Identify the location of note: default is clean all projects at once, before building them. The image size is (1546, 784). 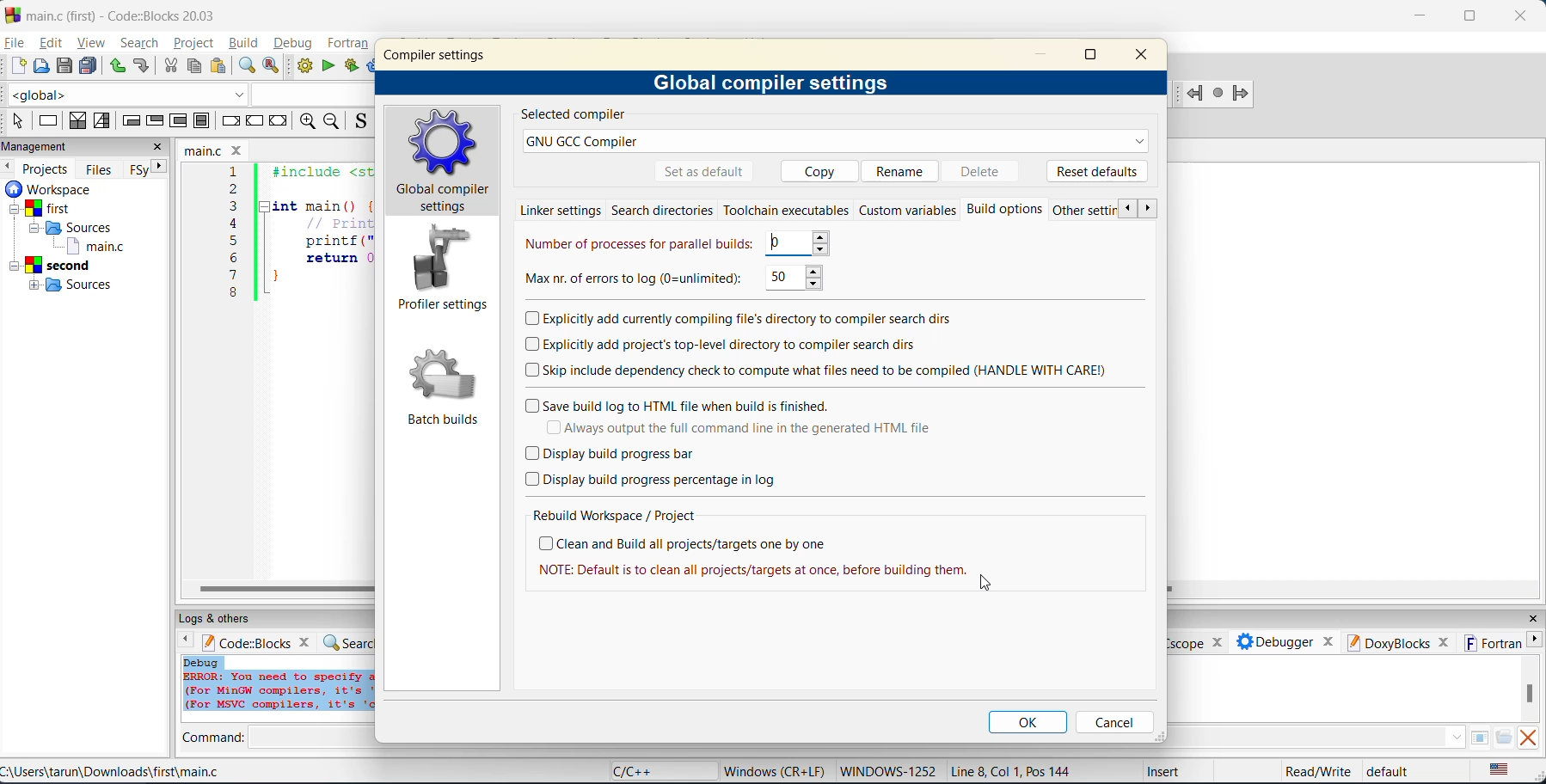
(753, 572).